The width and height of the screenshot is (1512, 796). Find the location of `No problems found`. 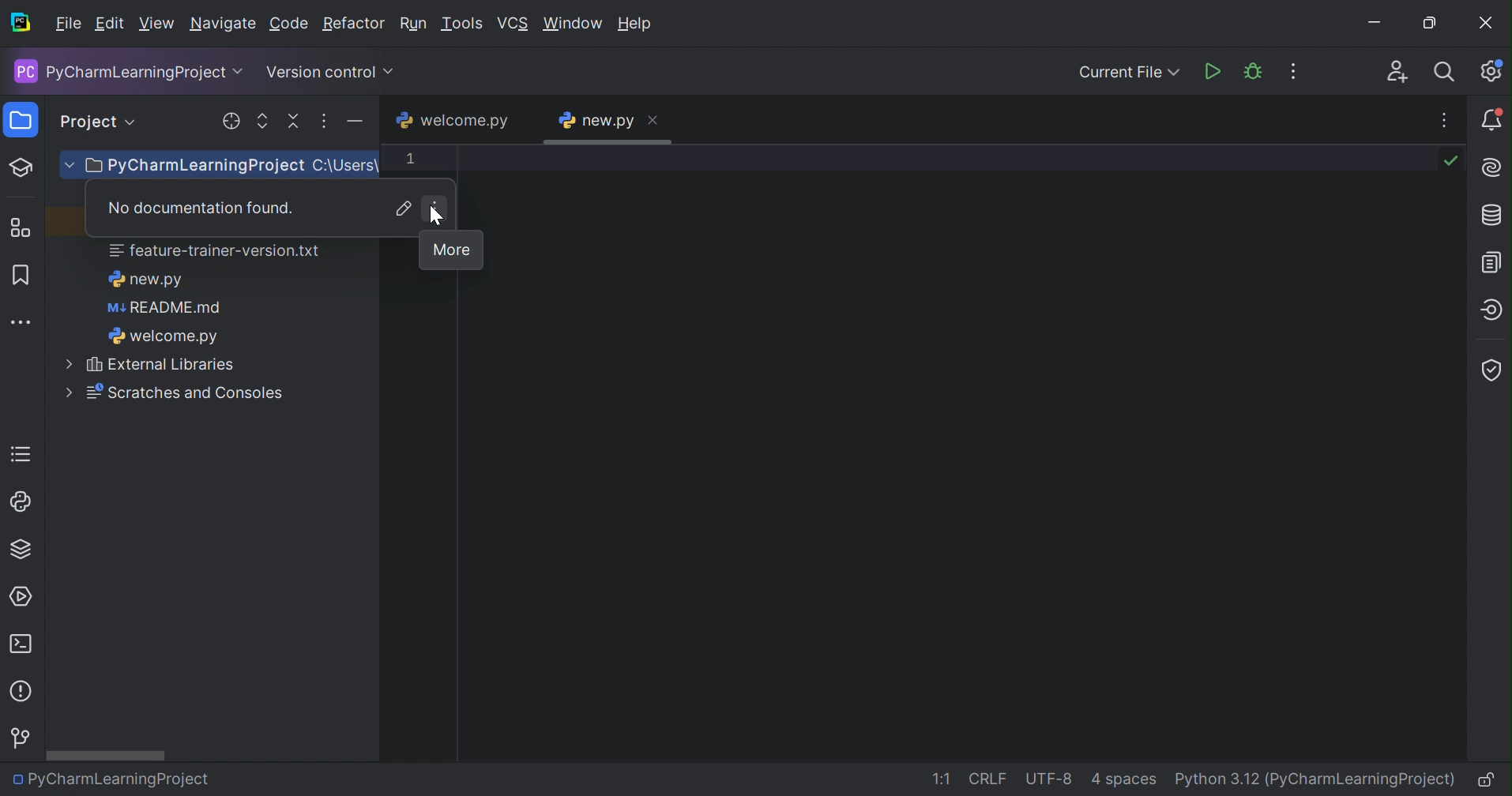

No problems found is located at coordinates (1453, 161).